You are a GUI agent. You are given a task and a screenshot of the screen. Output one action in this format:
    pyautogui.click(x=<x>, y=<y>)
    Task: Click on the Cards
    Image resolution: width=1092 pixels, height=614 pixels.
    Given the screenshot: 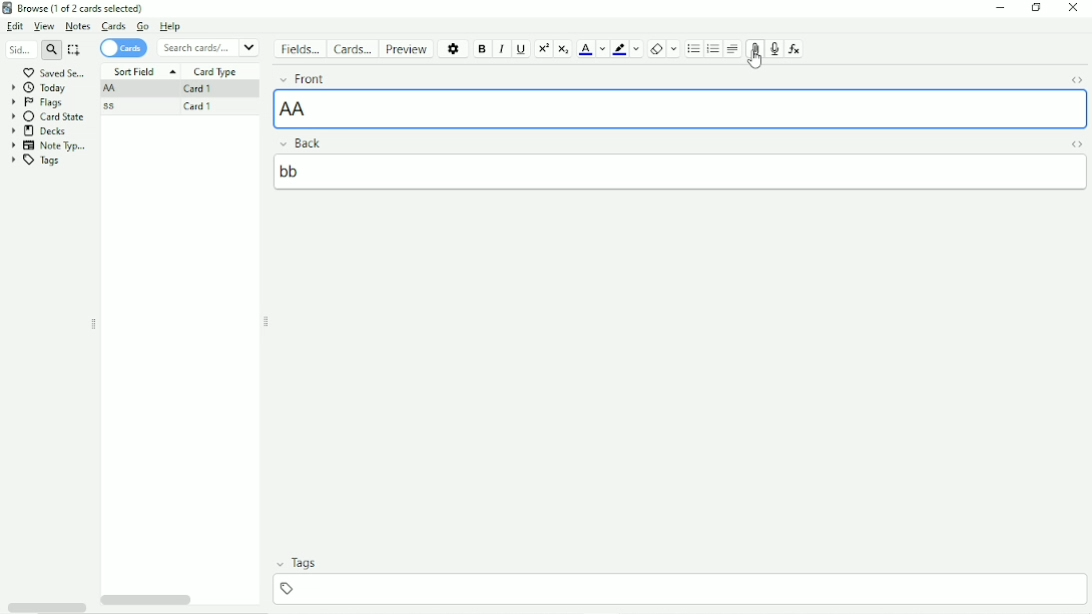 What is the action you would take?
    pyautogui.click(x=122, y=49)
    